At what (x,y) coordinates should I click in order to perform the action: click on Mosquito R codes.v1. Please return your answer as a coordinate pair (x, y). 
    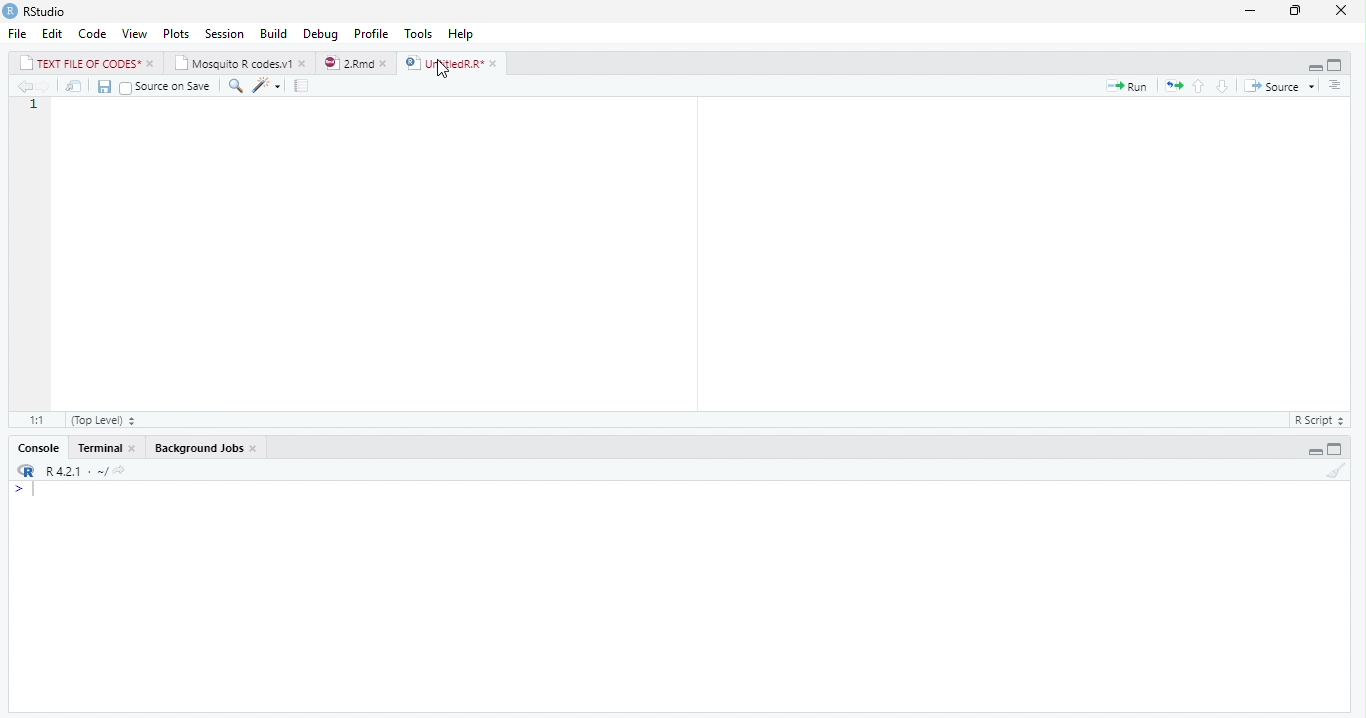
    Looking at the image, I should click on (239, 62).